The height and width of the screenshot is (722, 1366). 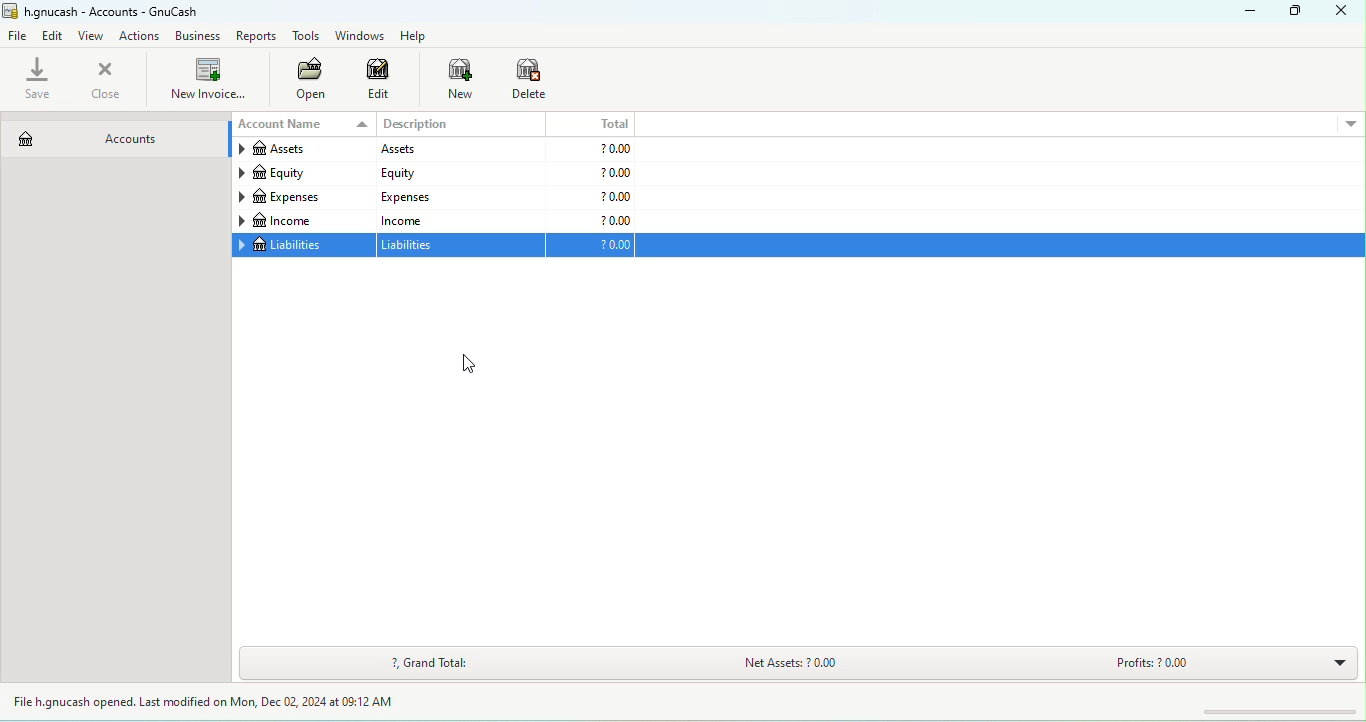 What do you see at coordinates (1223, 664) in the screenshot?
I see `profits?0.00` at bounding box center [1223, 664].